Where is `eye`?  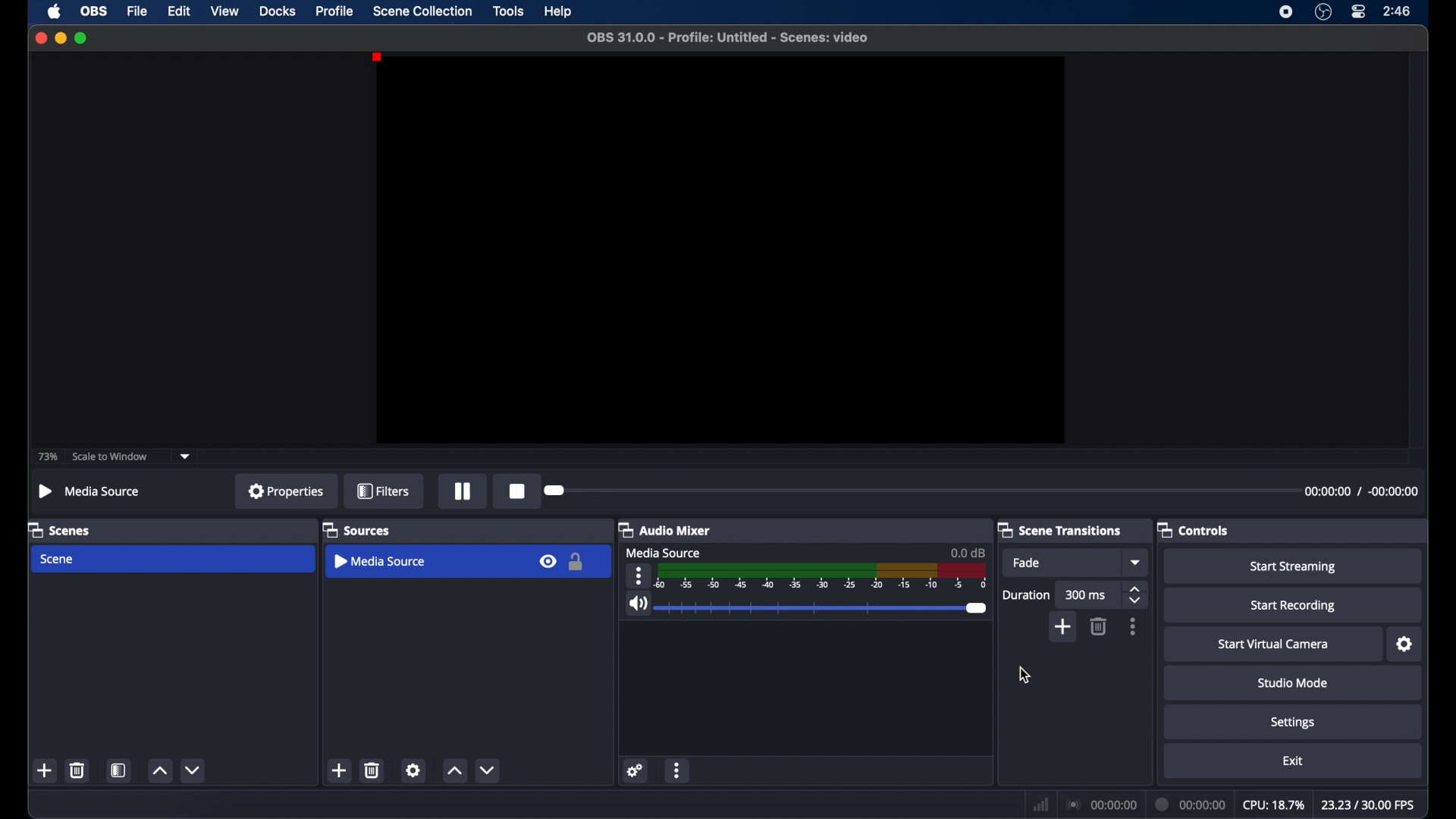 eye is located at coordinates (549, 562).